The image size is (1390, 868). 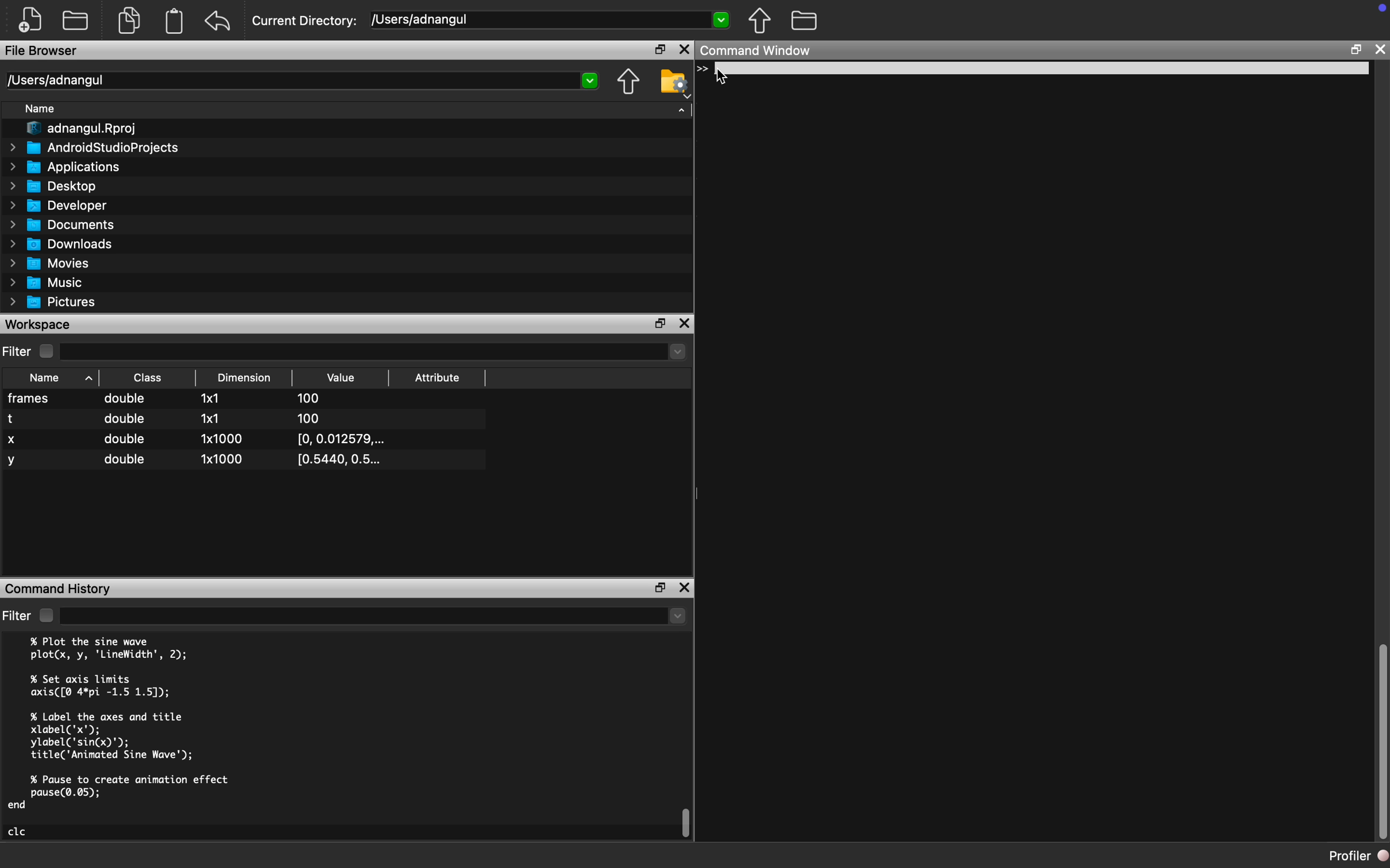 What do you see at coordinates (43, 52) in the screenshot?
I see `File Browser` at bounding box center [43, 52].